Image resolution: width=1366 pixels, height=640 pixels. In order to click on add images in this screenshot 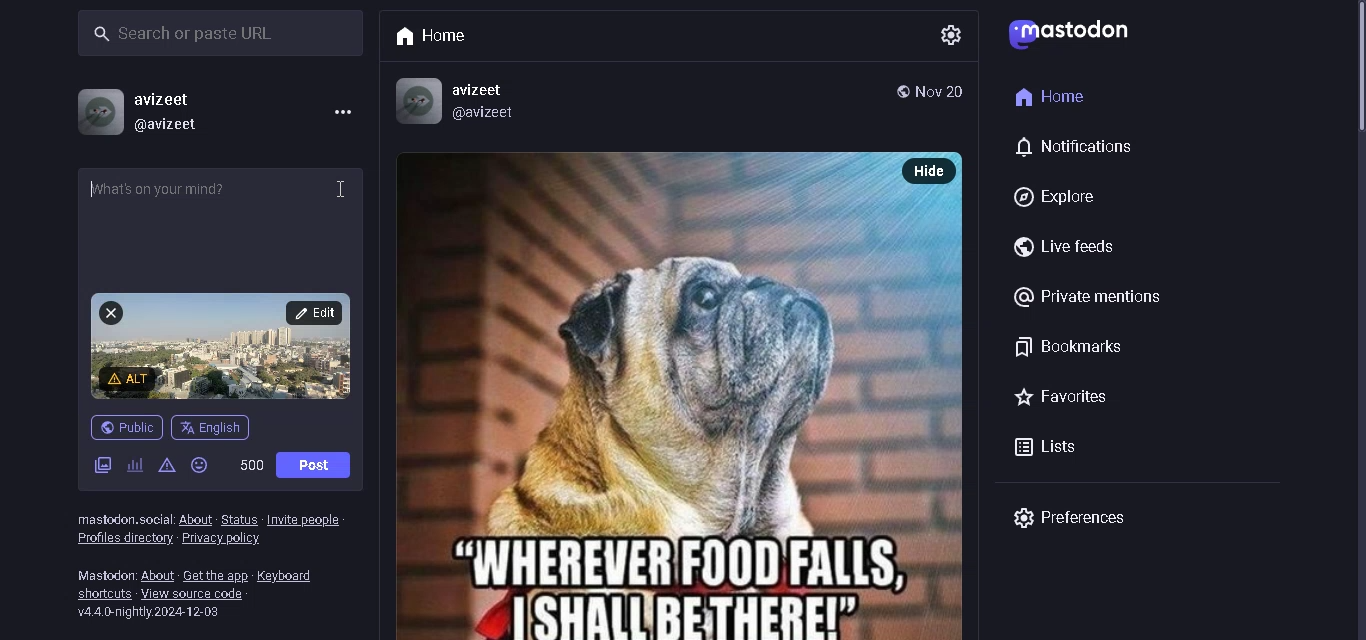, I will do `click(102, 468)`.